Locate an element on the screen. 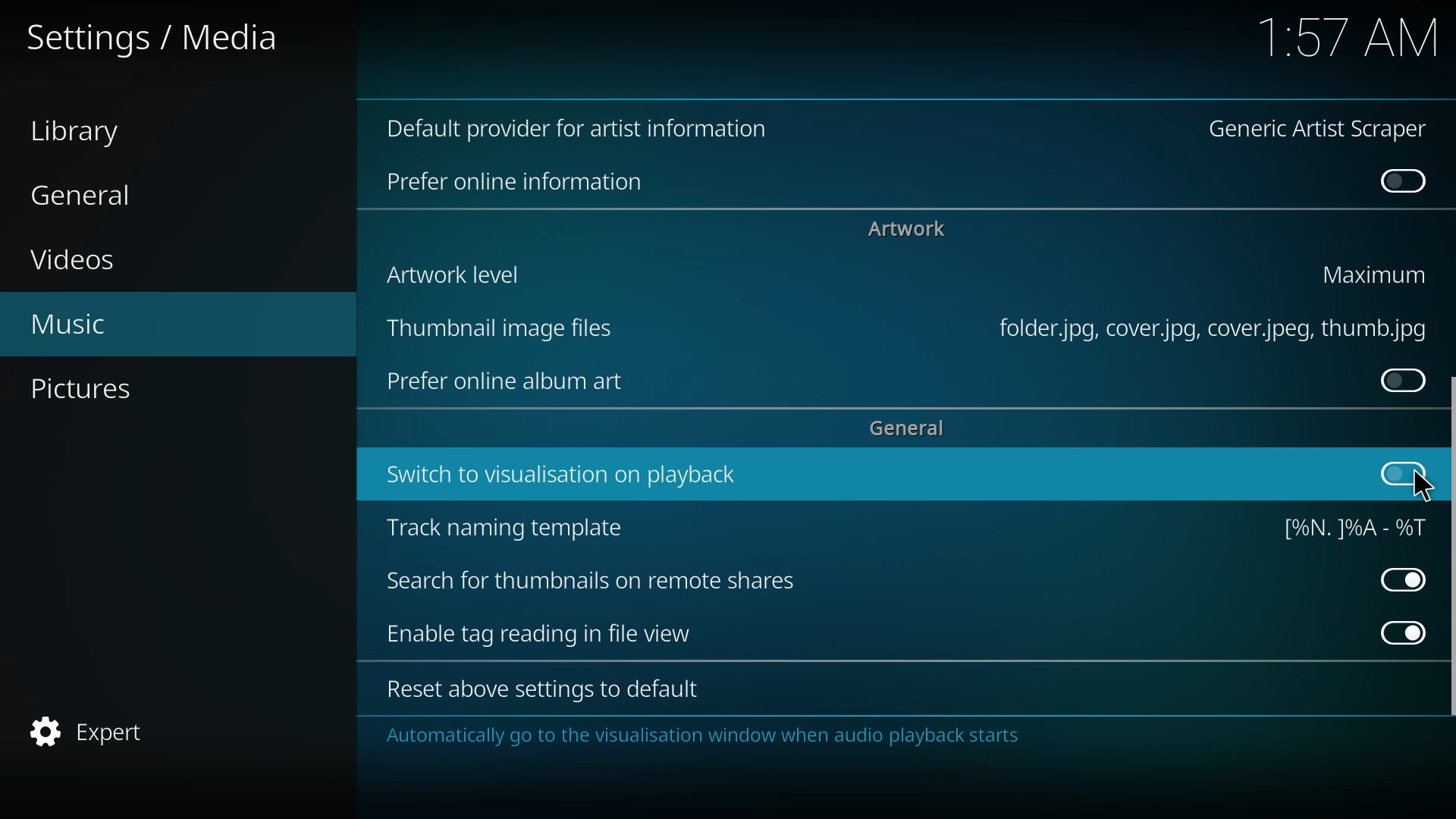 The height and width of the screenshot is (819, 1456). expert is located at coordinates (93, 730).